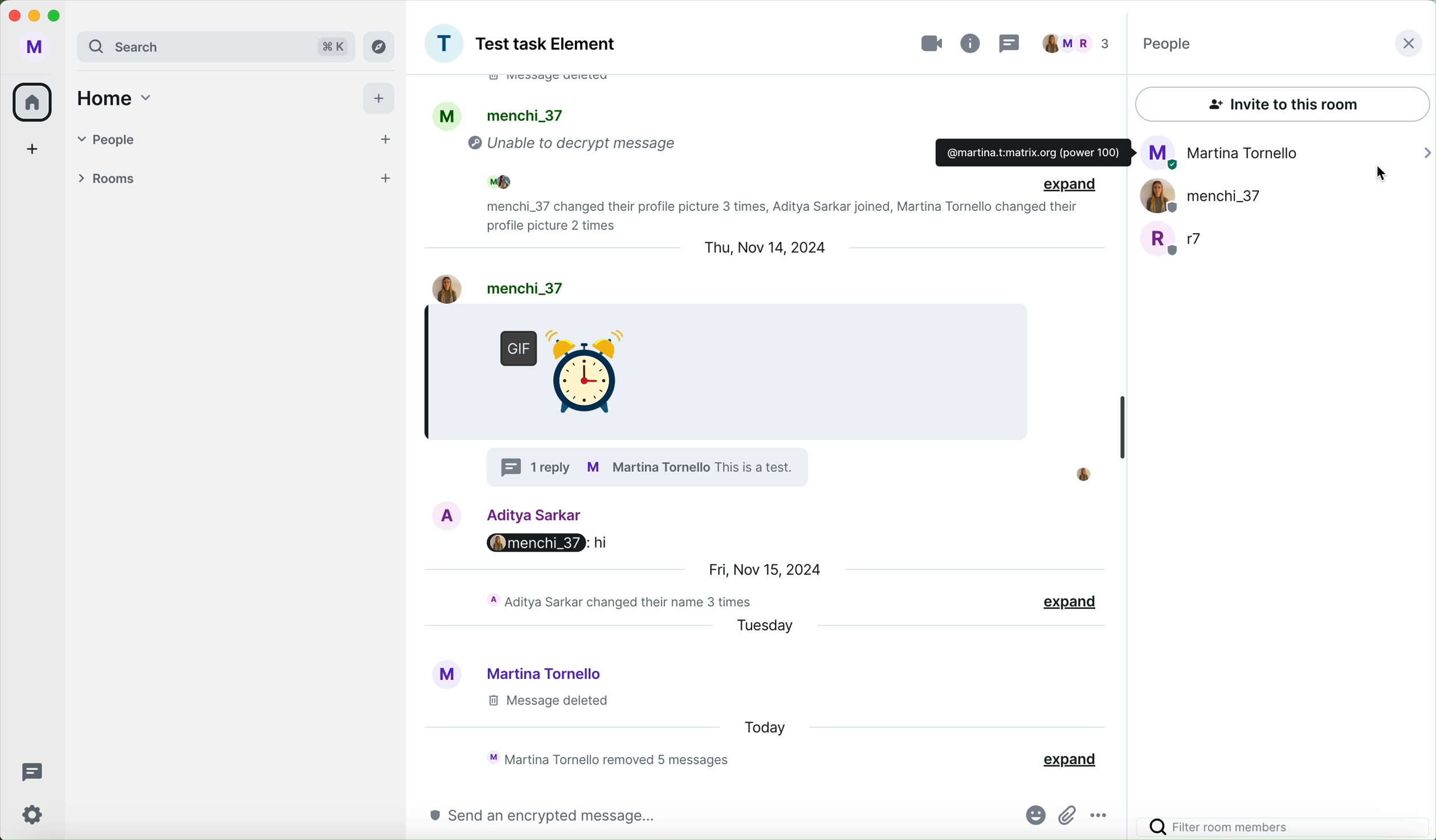 This screenshot has width=1436, height=840. What do you see at coordinates (207, 175) in the screenshot?
I see `rooms` at bounding box center [207, 175].